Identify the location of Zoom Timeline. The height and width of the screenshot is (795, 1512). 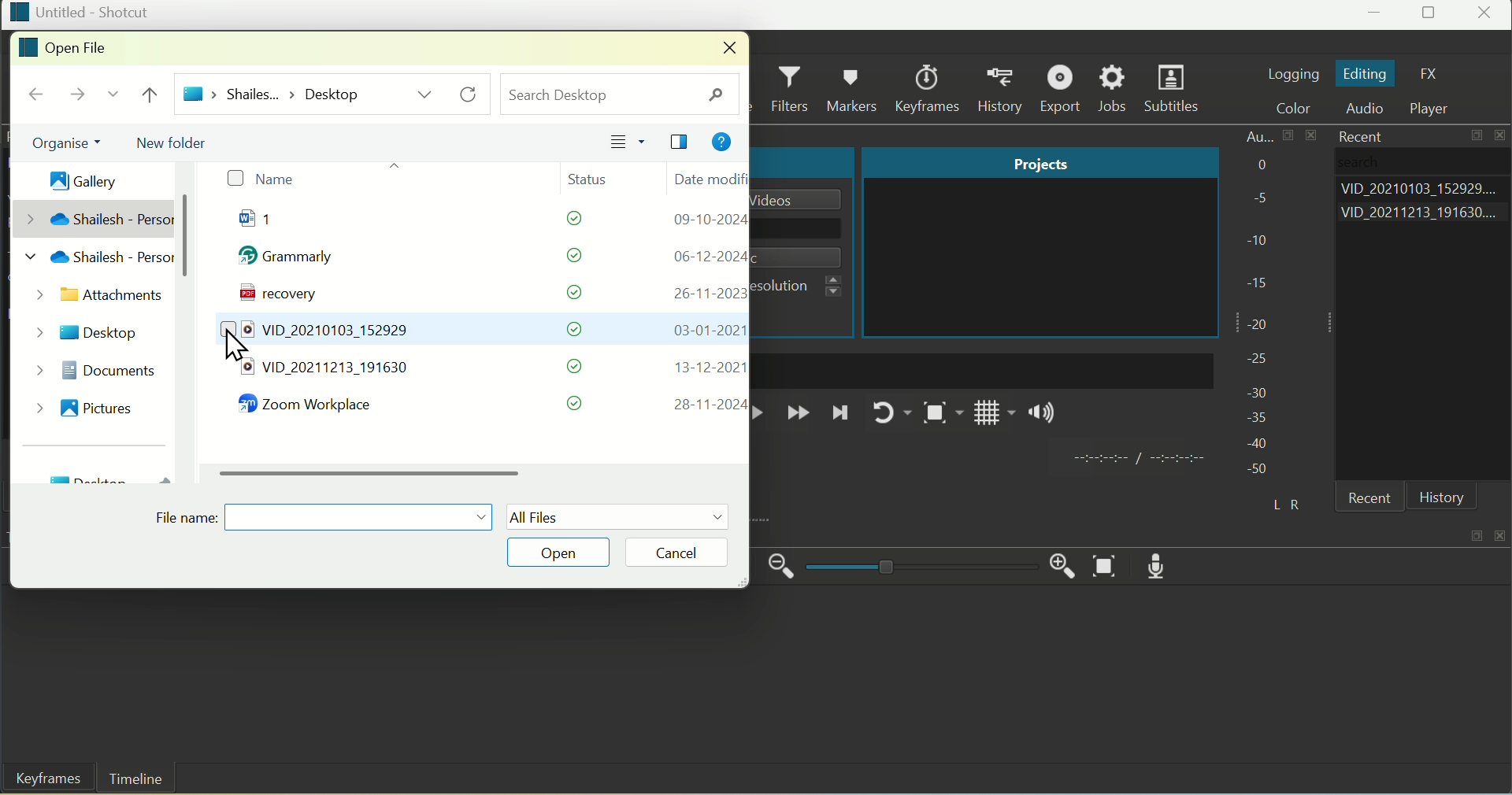
(1106, 567).